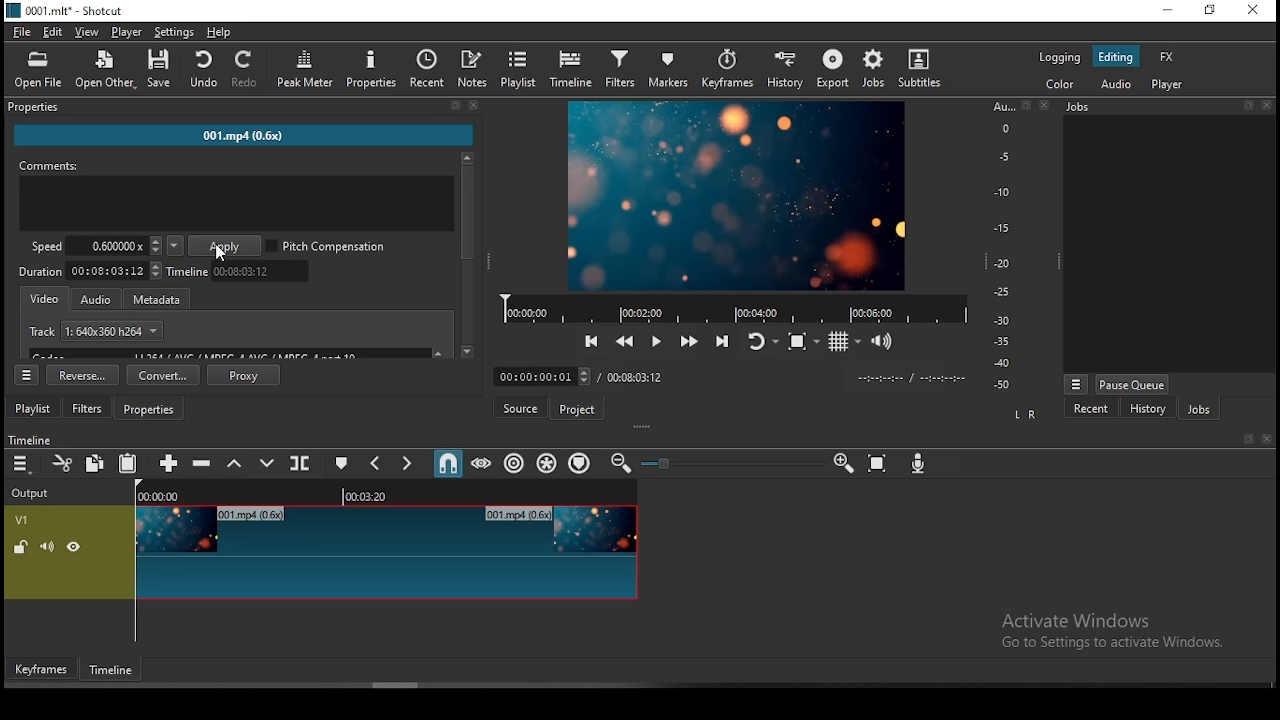 The width and height of the screenshot is (1280, 720). Describe the element at coordinates (30, 440) in the screenshot. I see `timeline` at that location.